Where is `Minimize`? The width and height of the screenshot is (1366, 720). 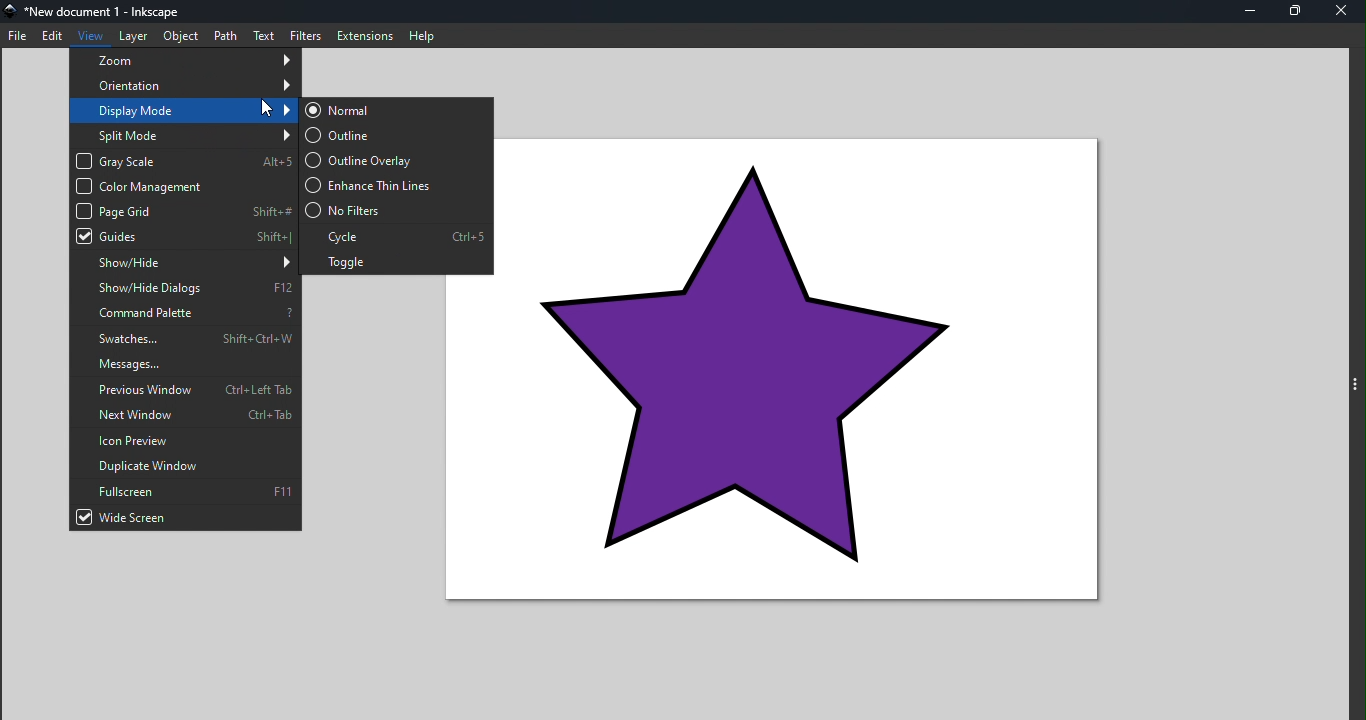 Minimize is located at coordinates (1256, 13).